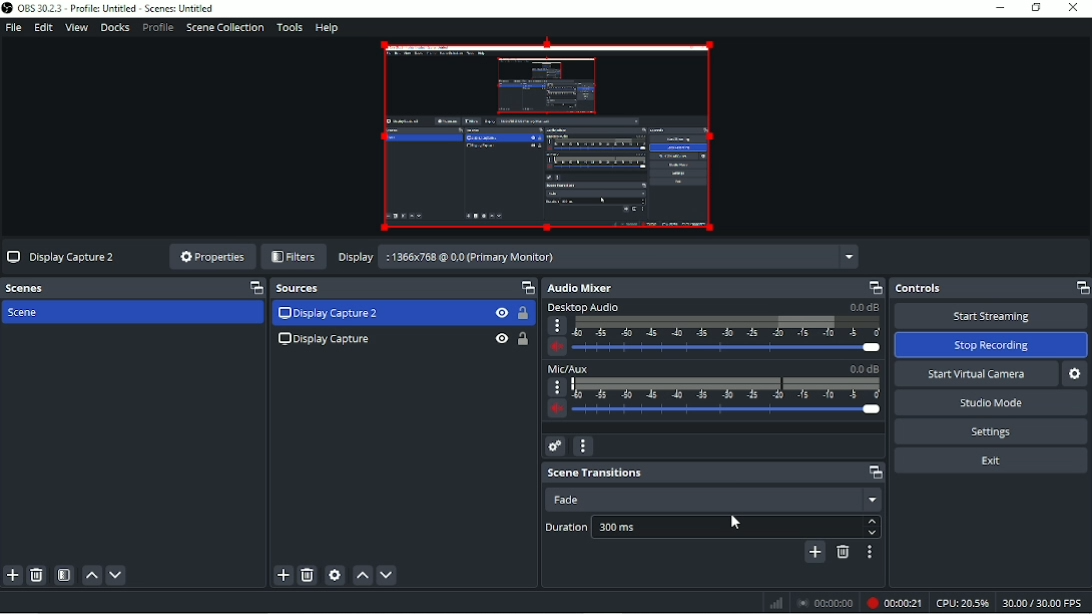 The height and width of the screenshot is (614, 1092). What do you see at coordinates (294, 258) in the screenshot?
I see `Filters` at bounding box center [294, 258].